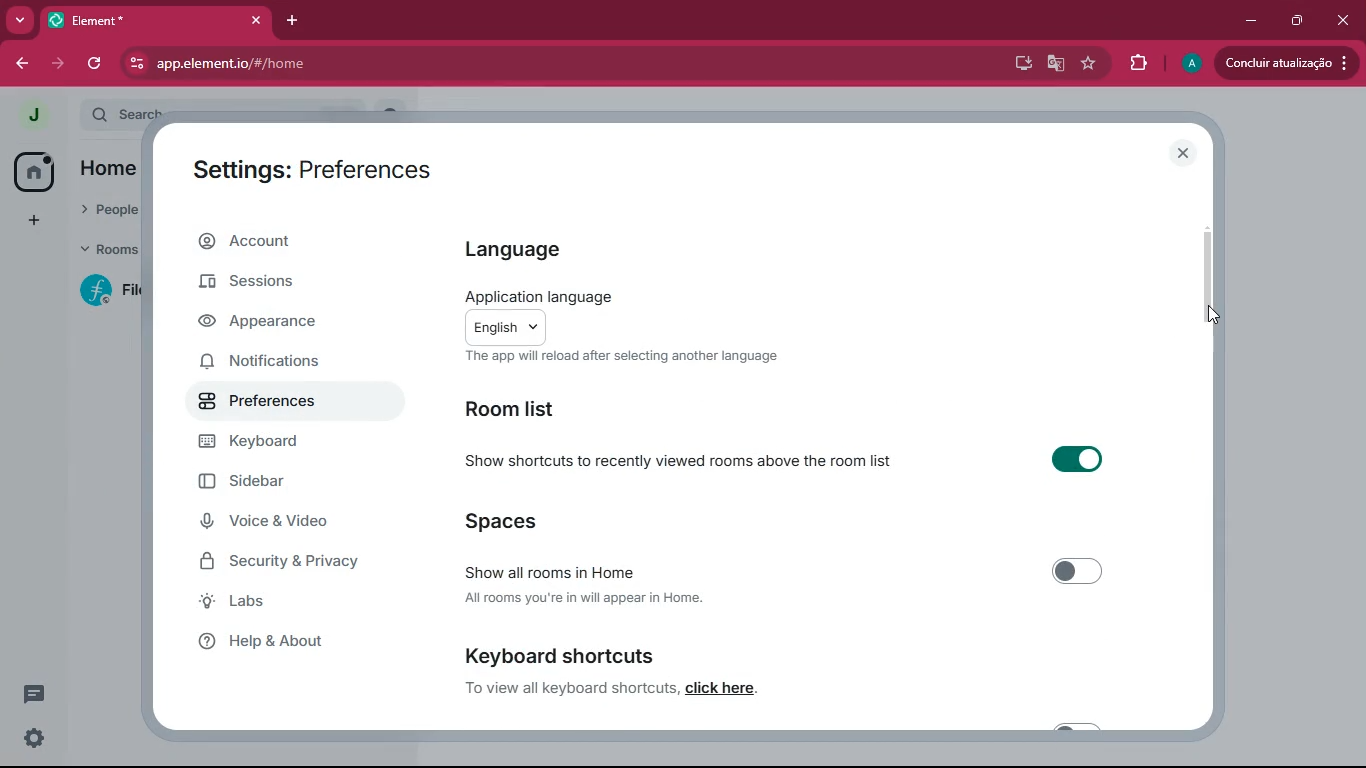 The image size is (1366, 768). What do you see at coordinates (585, 599) in the screenshot?
I see `All rooms you're in will appear in Home.` at bounding box center [585, 599].